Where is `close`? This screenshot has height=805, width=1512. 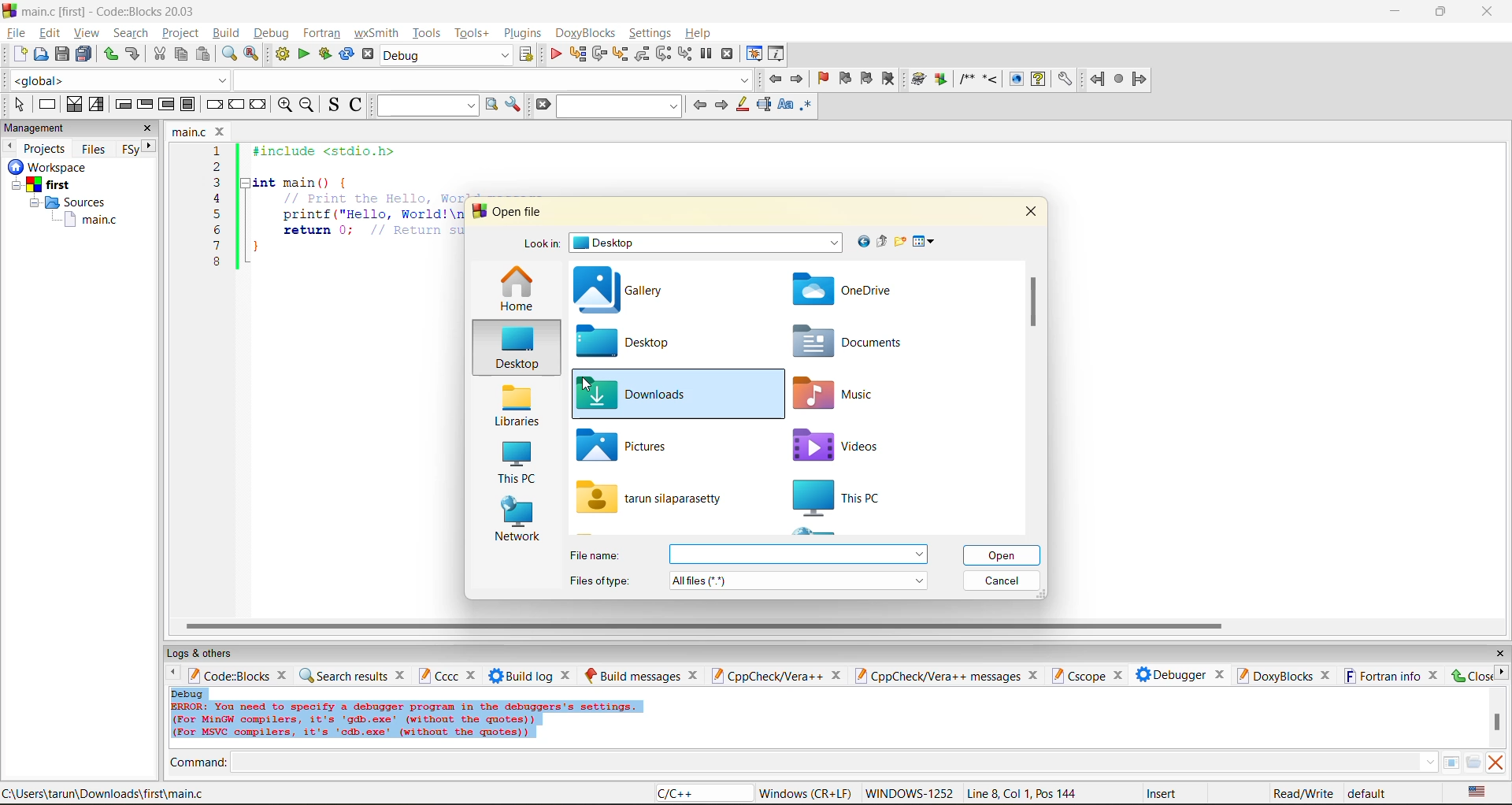
close is located at coordinates (568, 675).